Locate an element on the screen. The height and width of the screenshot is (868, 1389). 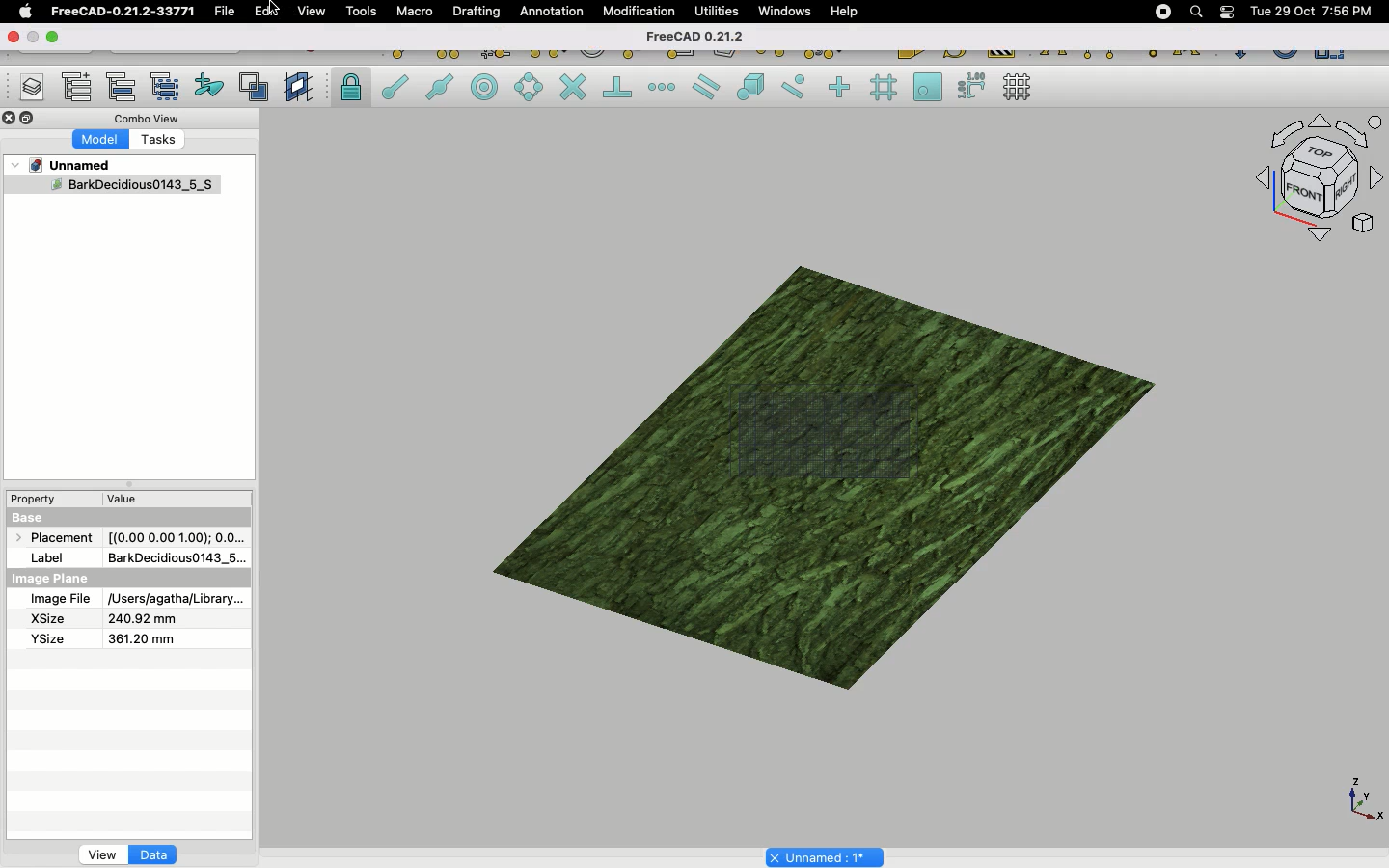
Macro is located at coordinates (416, 12).